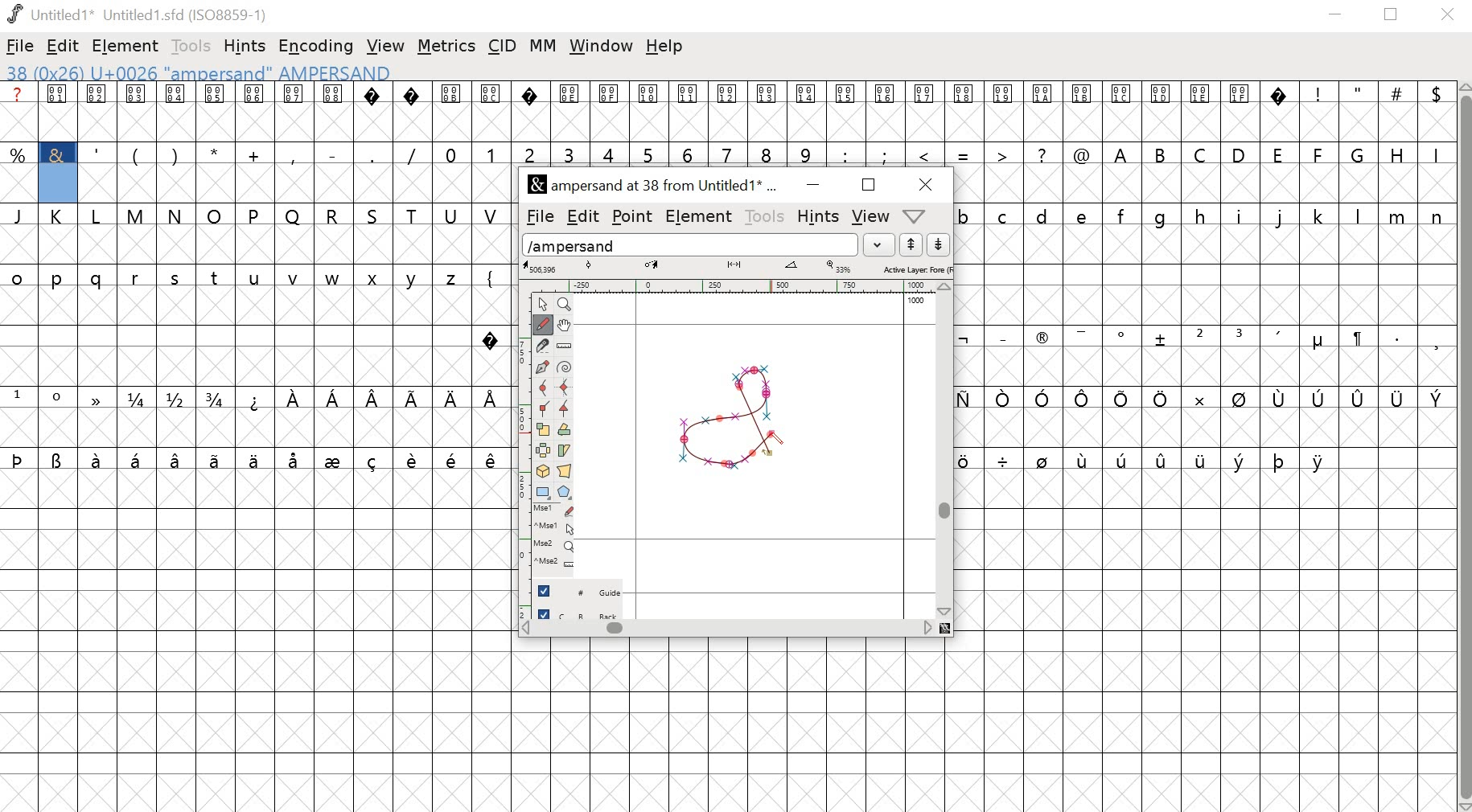  What do you see at coordinates (1240, 459) in the screenshot?
I see `symbol` at bounding box center [1240, 459].